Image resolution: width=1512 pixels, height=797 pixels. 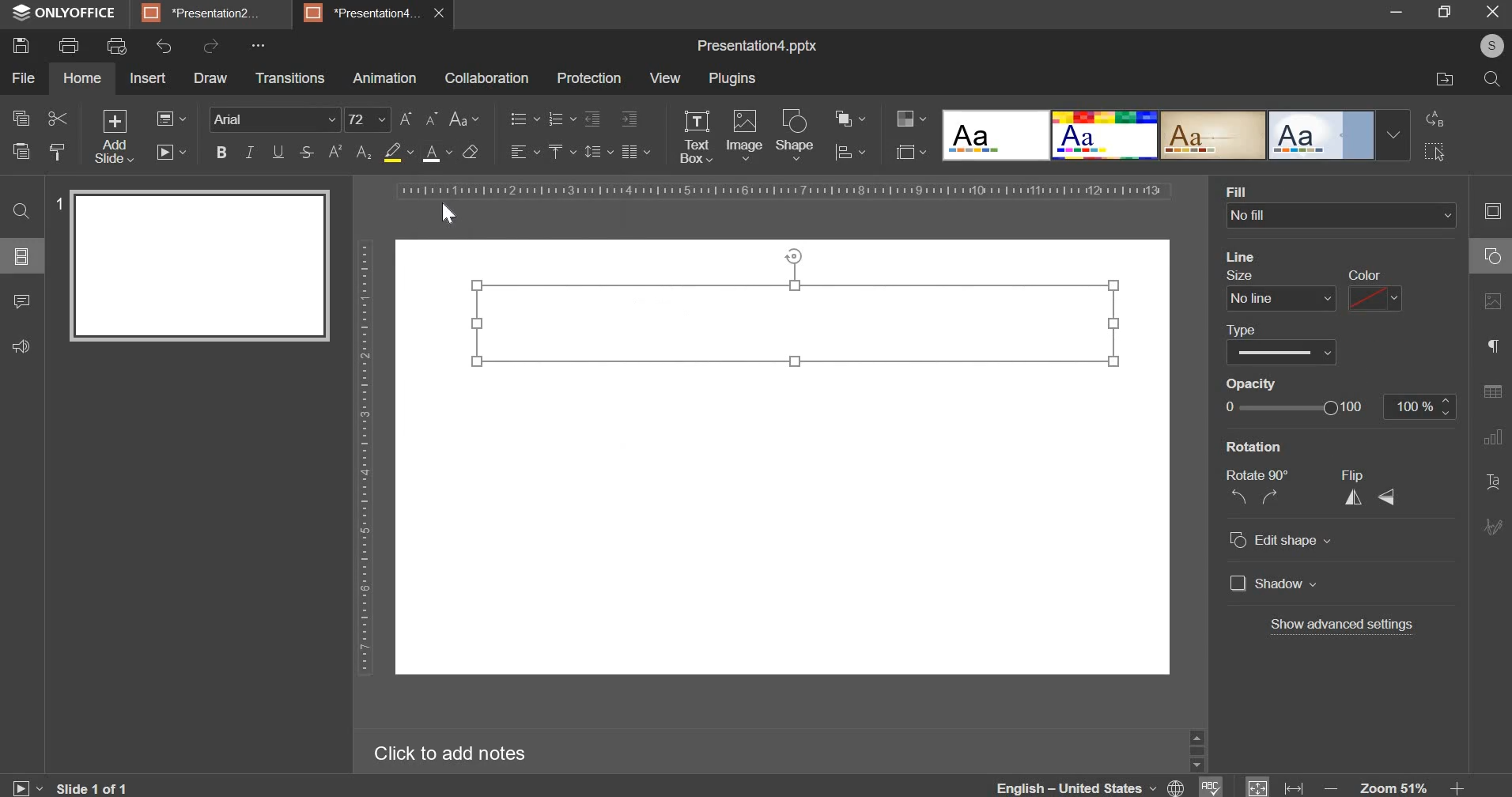 What do you see at coordinates (57, 119) in the screenshot?
I see `cut` at bounding box center [57, 119].